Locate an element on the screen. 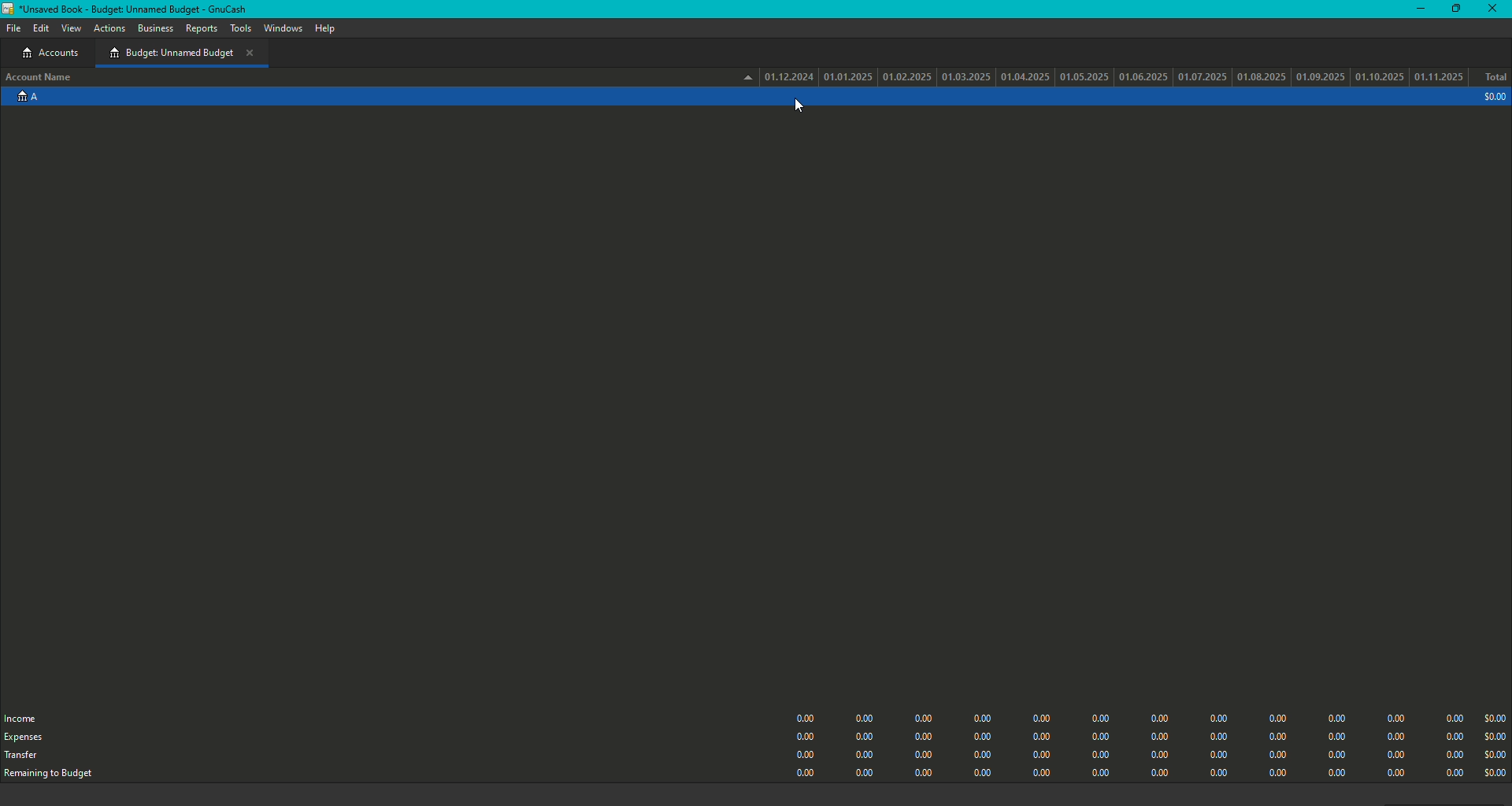 Image resolution: width=1512 pixels, height=806 pixels. Windows is located at coordinates (283, 29).